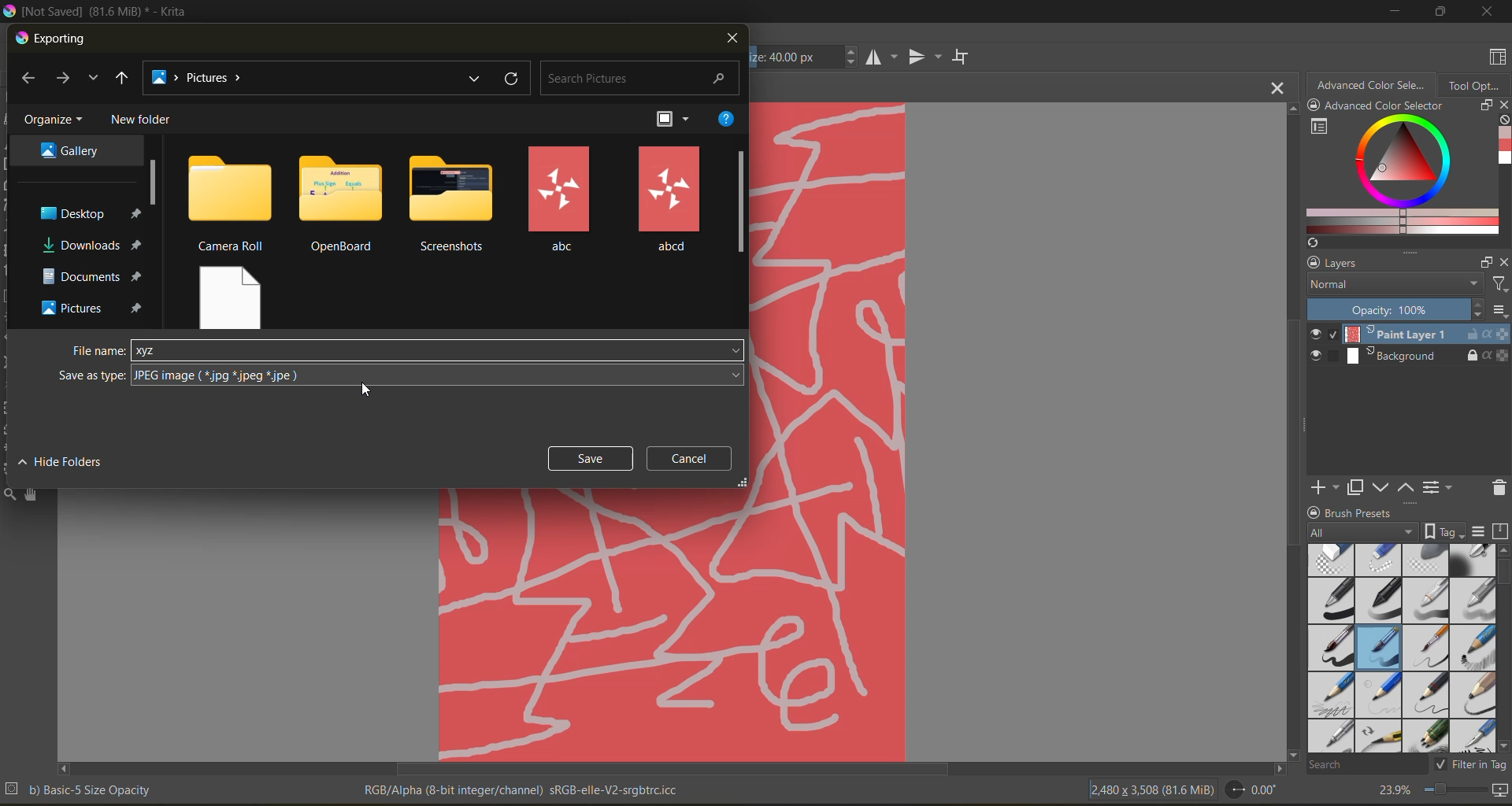  Describe the element at coordinates (1488, 11) in the screenshot. I see `close` at that location.